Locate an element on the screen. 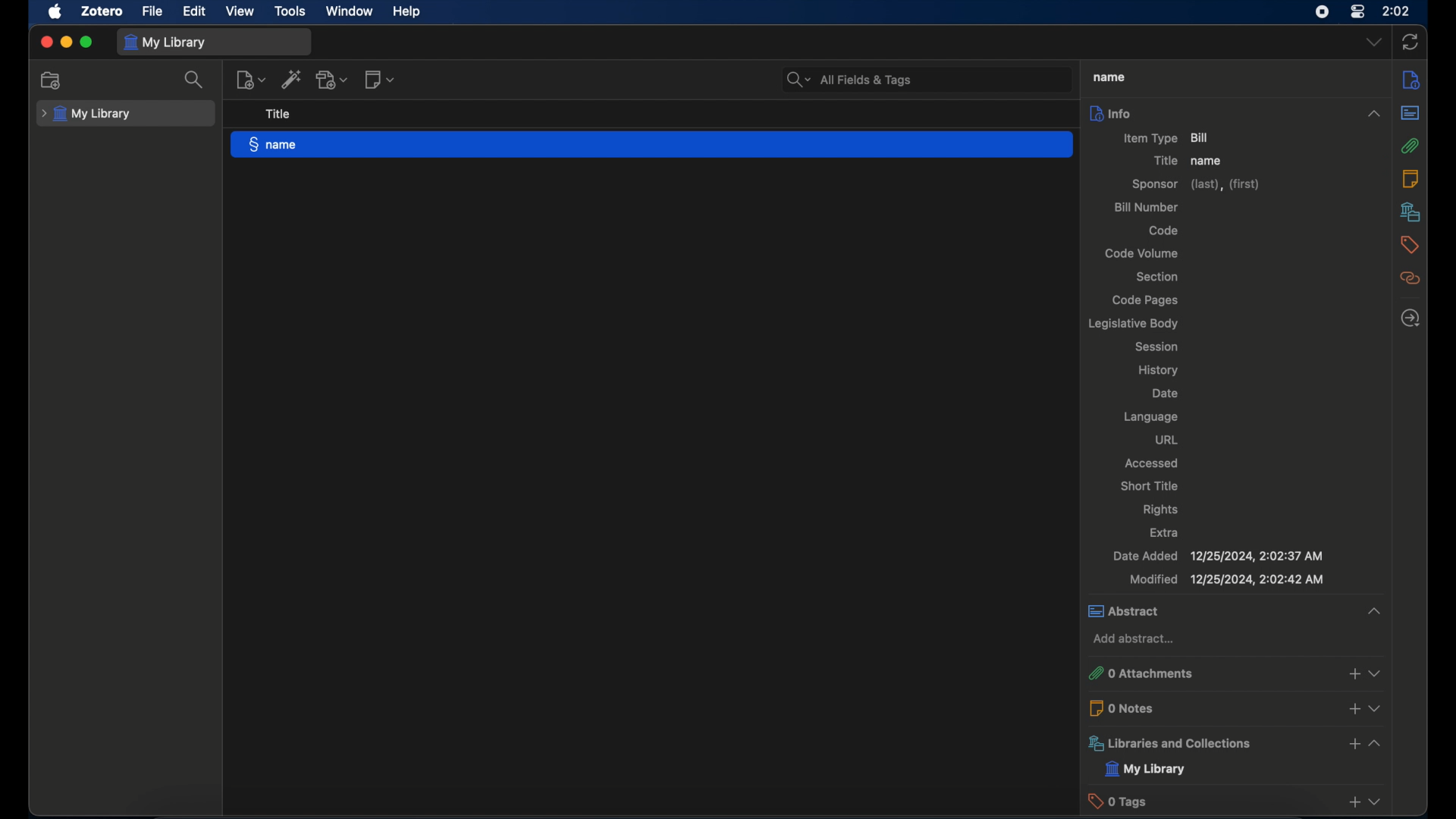 Image resolution: width=1456 pixels, height=819 pixels. search is located at coordinates (849, 80).